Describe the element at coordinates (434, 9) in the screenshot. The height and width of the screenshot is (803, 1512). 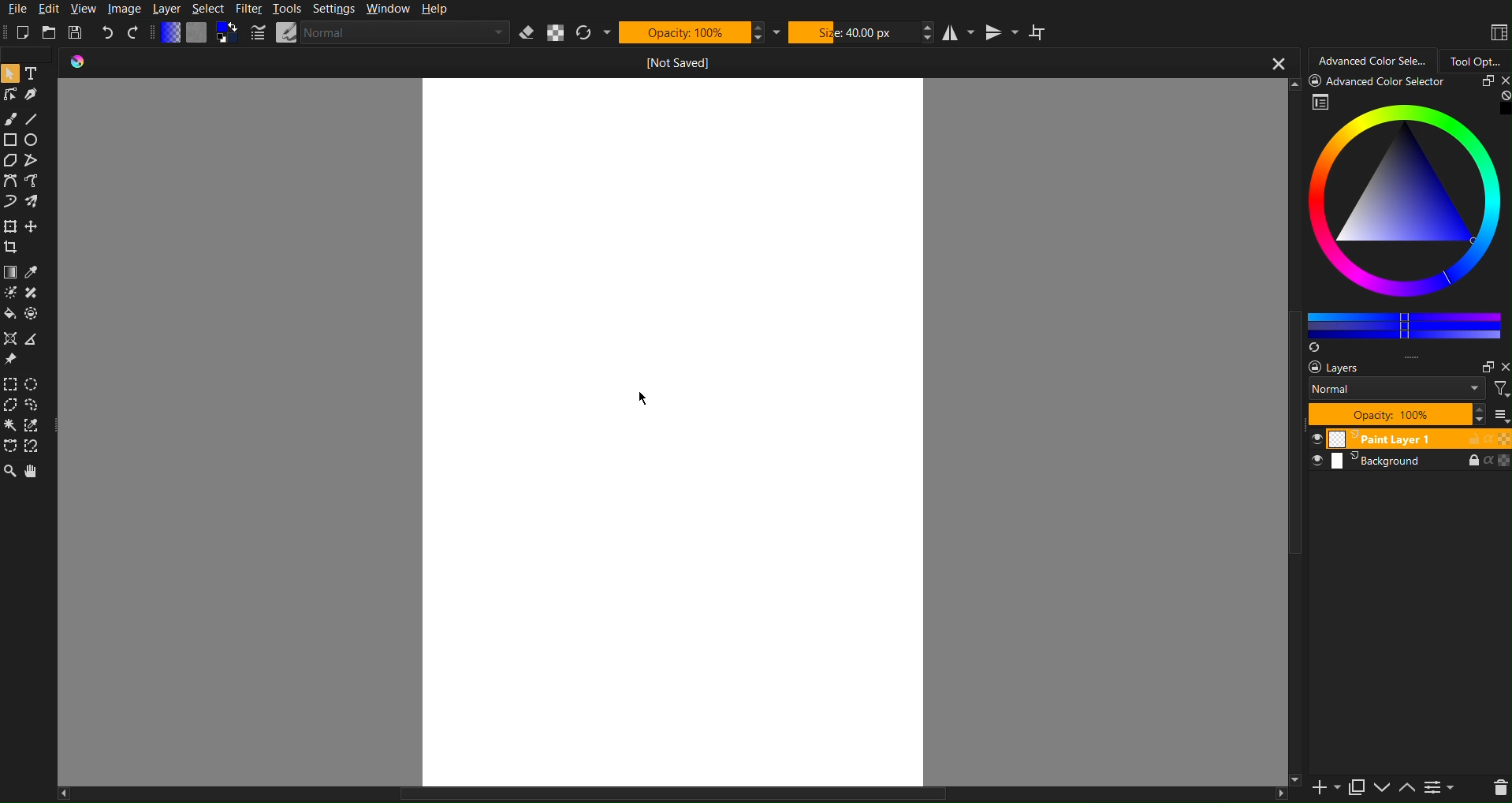
I see `Help` at that location.